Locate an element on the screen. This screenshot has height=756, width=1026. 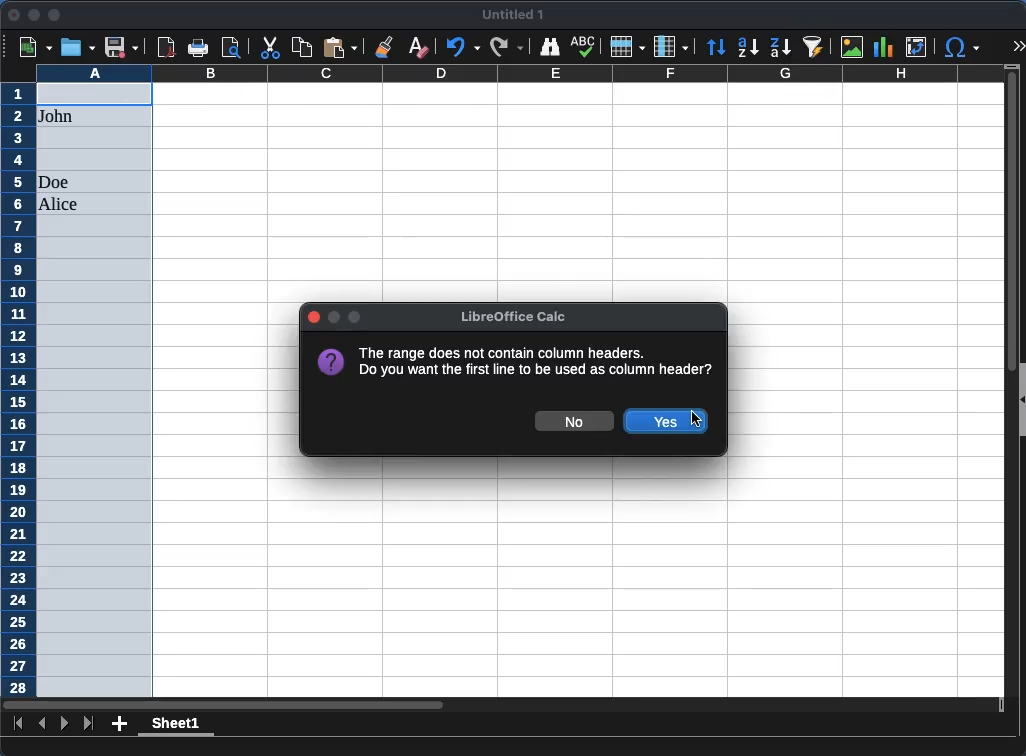
descending is located at coordinates (781, 48).